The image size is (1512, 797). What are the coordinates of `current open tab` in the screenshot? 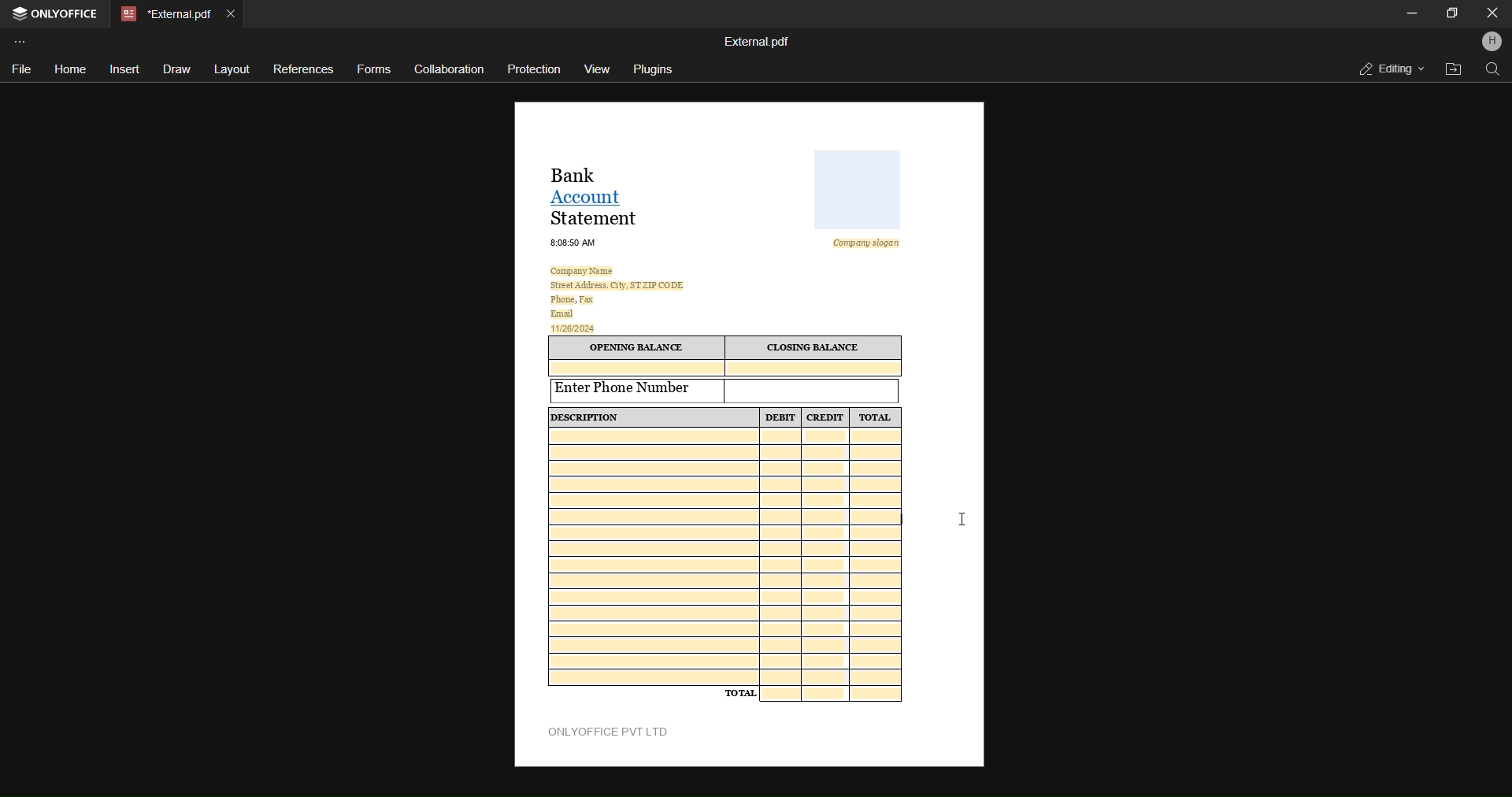 It's located at (164, 13).